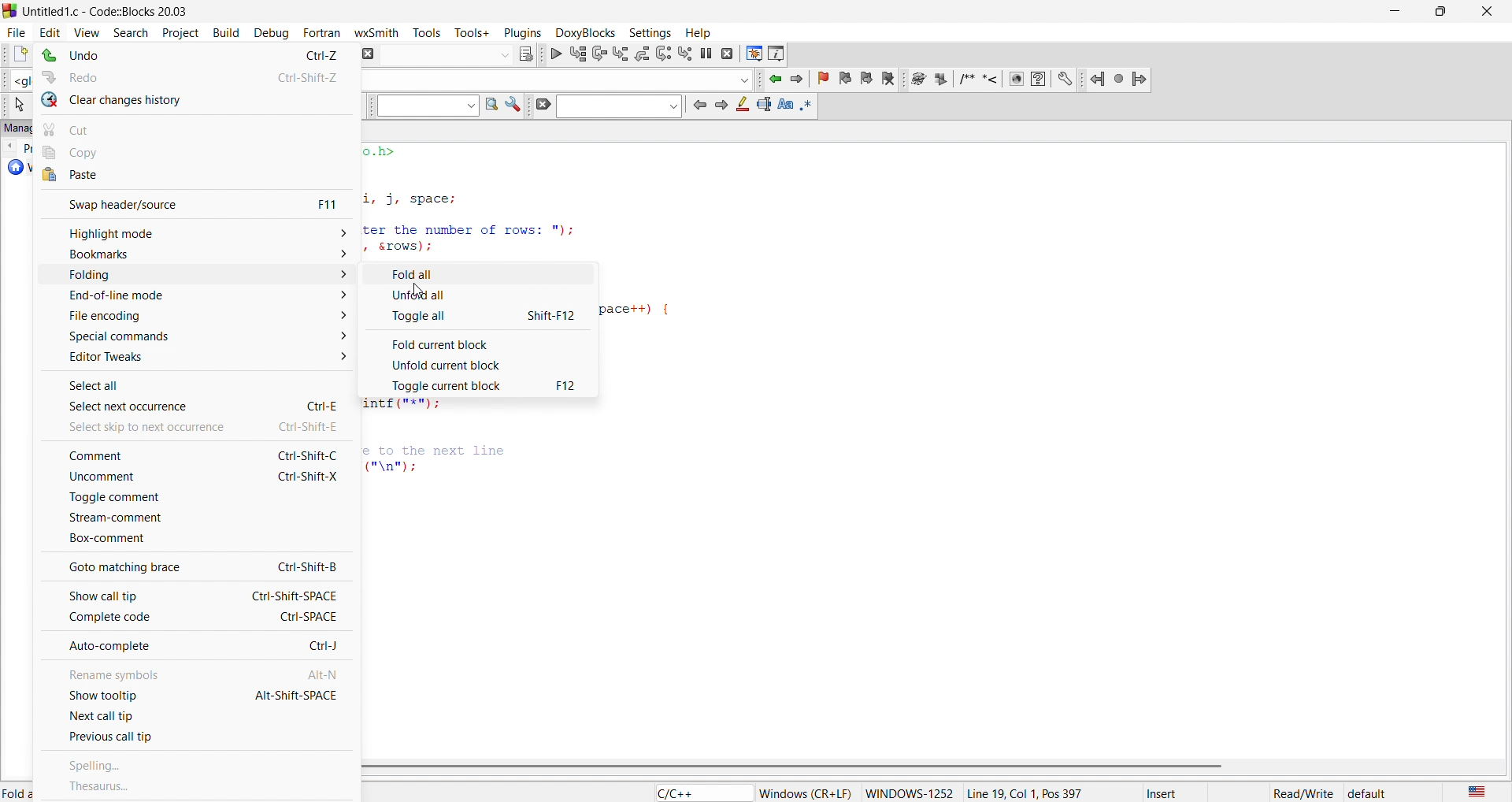 The image size is (1512, 802). Describe the element at coordinates (186, 426) in the screenshot. I see `select skip to new occurence` at that location.